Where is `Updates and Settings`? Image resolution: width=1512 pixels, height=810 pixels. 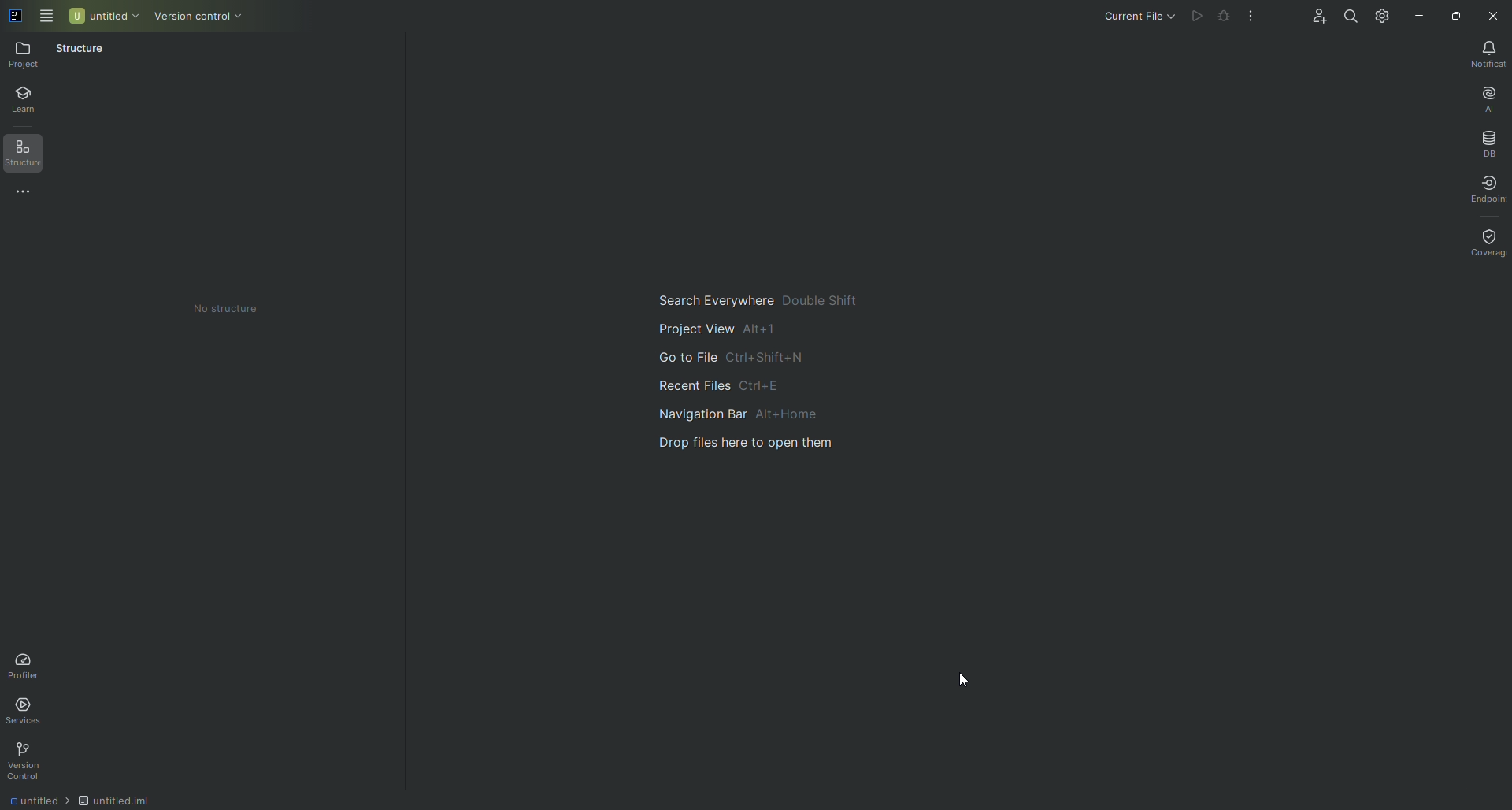 Updates and Settings is located at coordinates (1383, 15).